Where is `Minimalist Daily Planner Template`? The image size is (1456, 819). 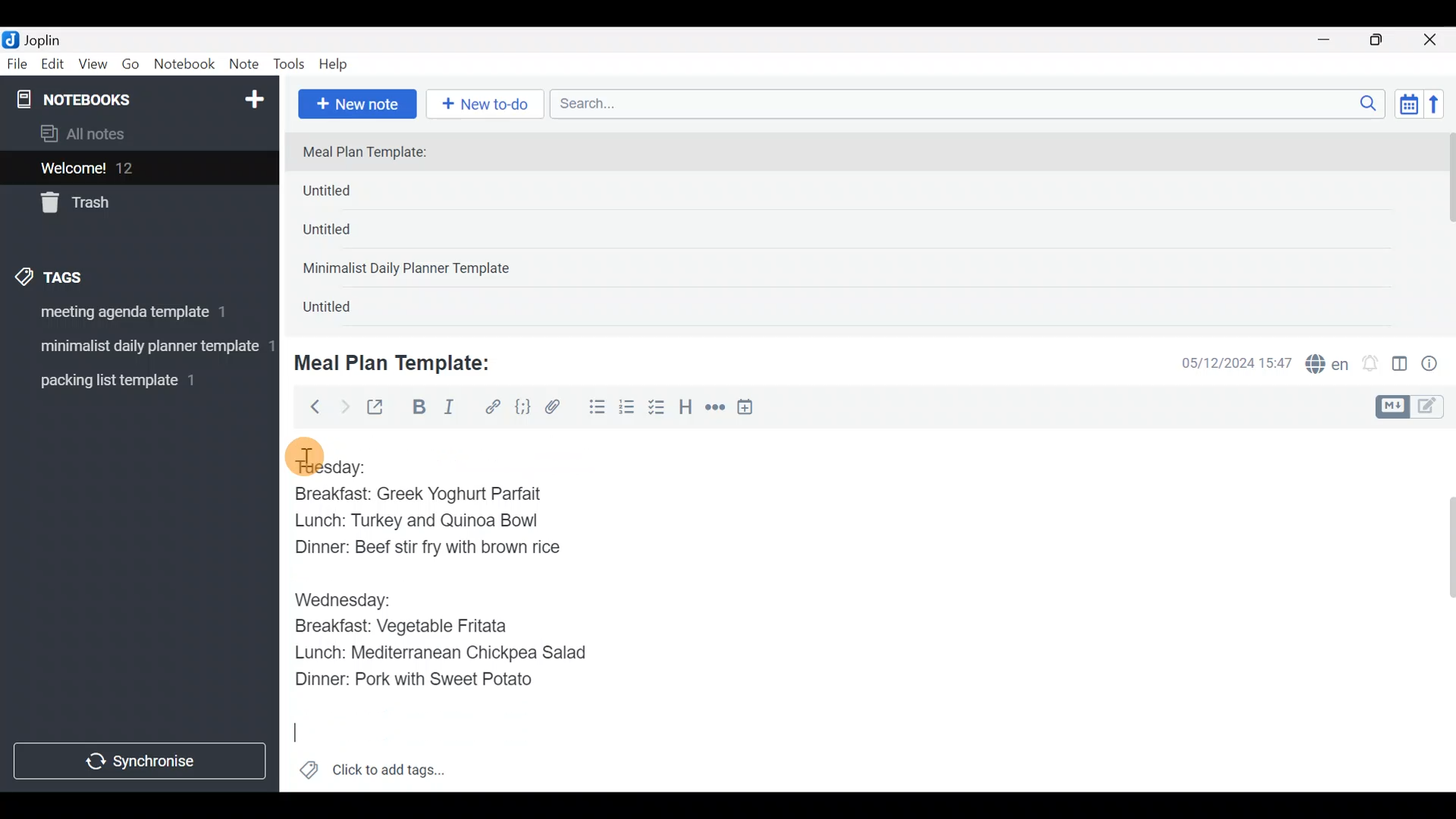
Minimalist Daily Planner Template is located at coordinates (411, 270).